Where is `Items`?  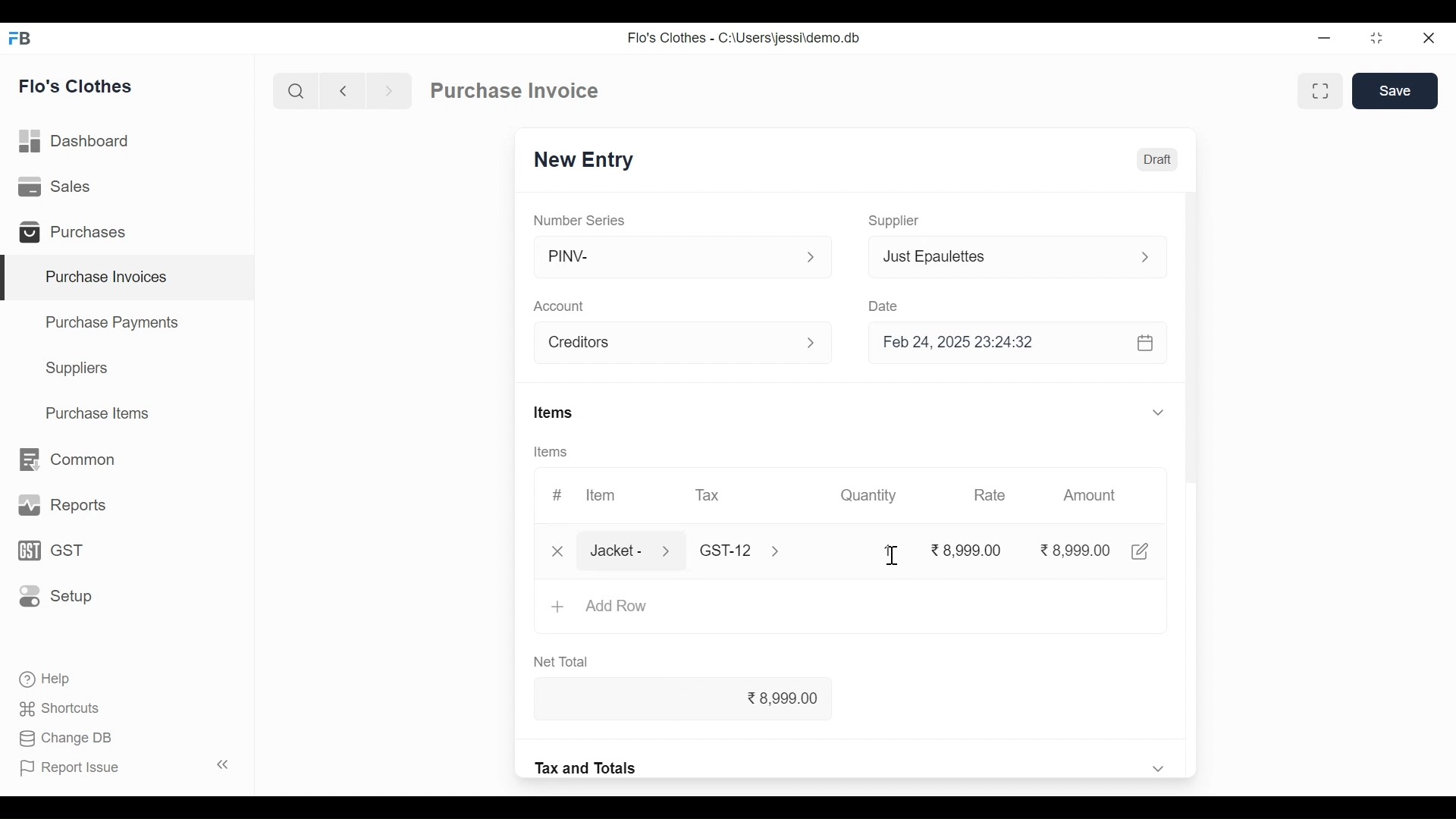
Items is located at coordinates (553, 412).